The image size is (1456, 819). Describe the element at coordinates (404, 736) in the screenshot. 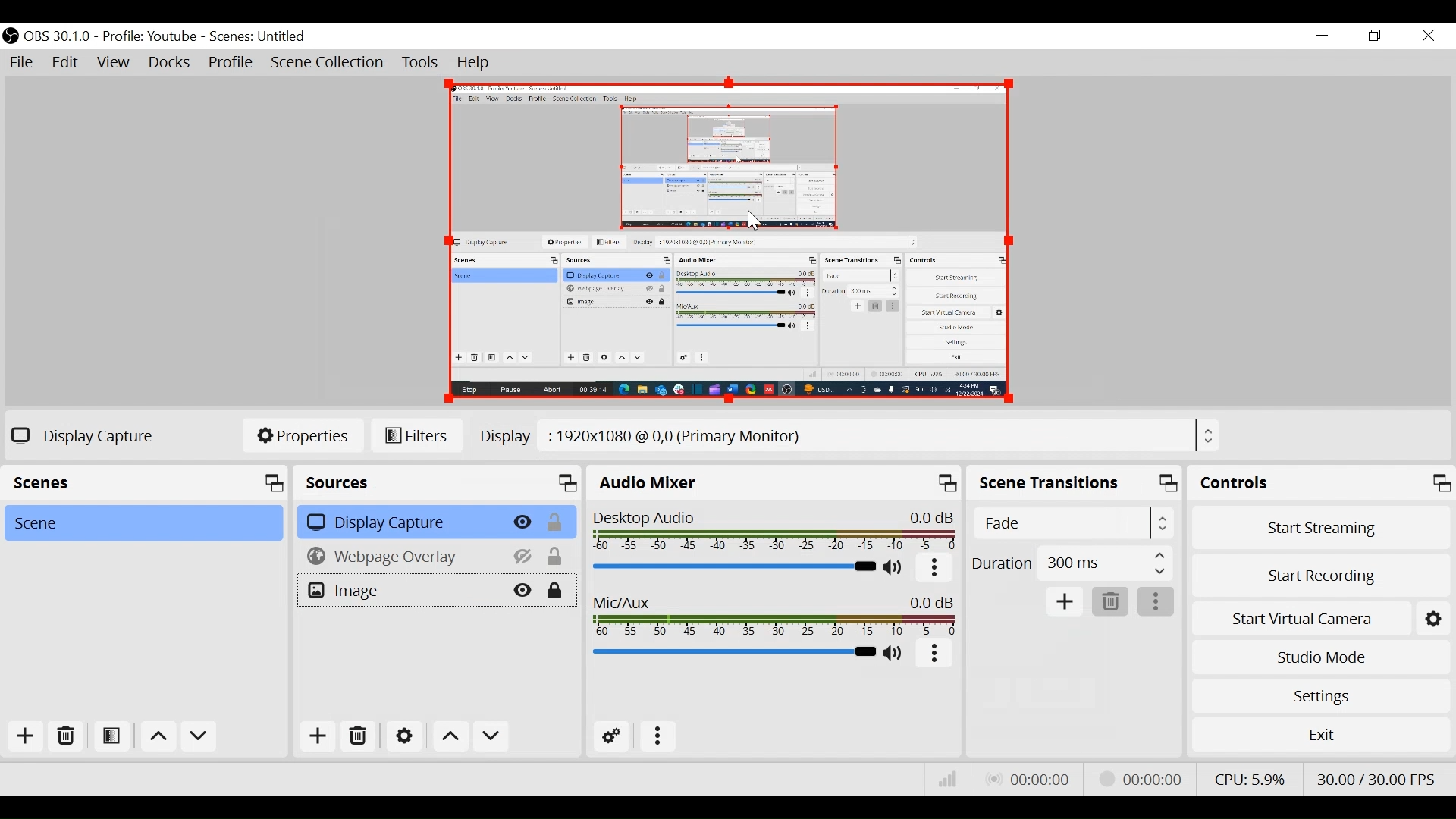

I see `Settings` at that location.